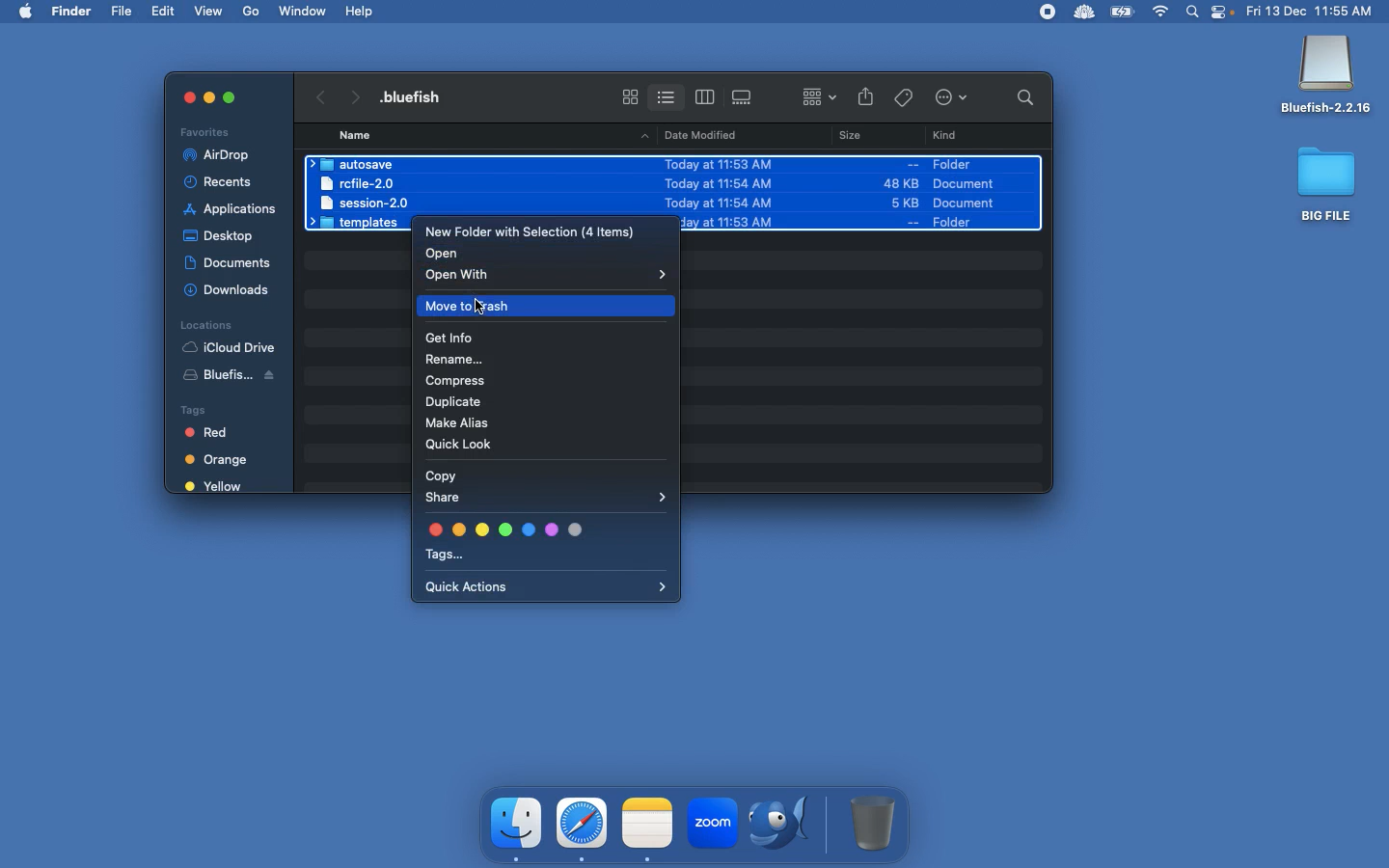 This screenshot has width=1389, height=868. What do you see at coordinates (465, 445) in the screenshot?
I see `Quick look` at bounding box center [465, 445].